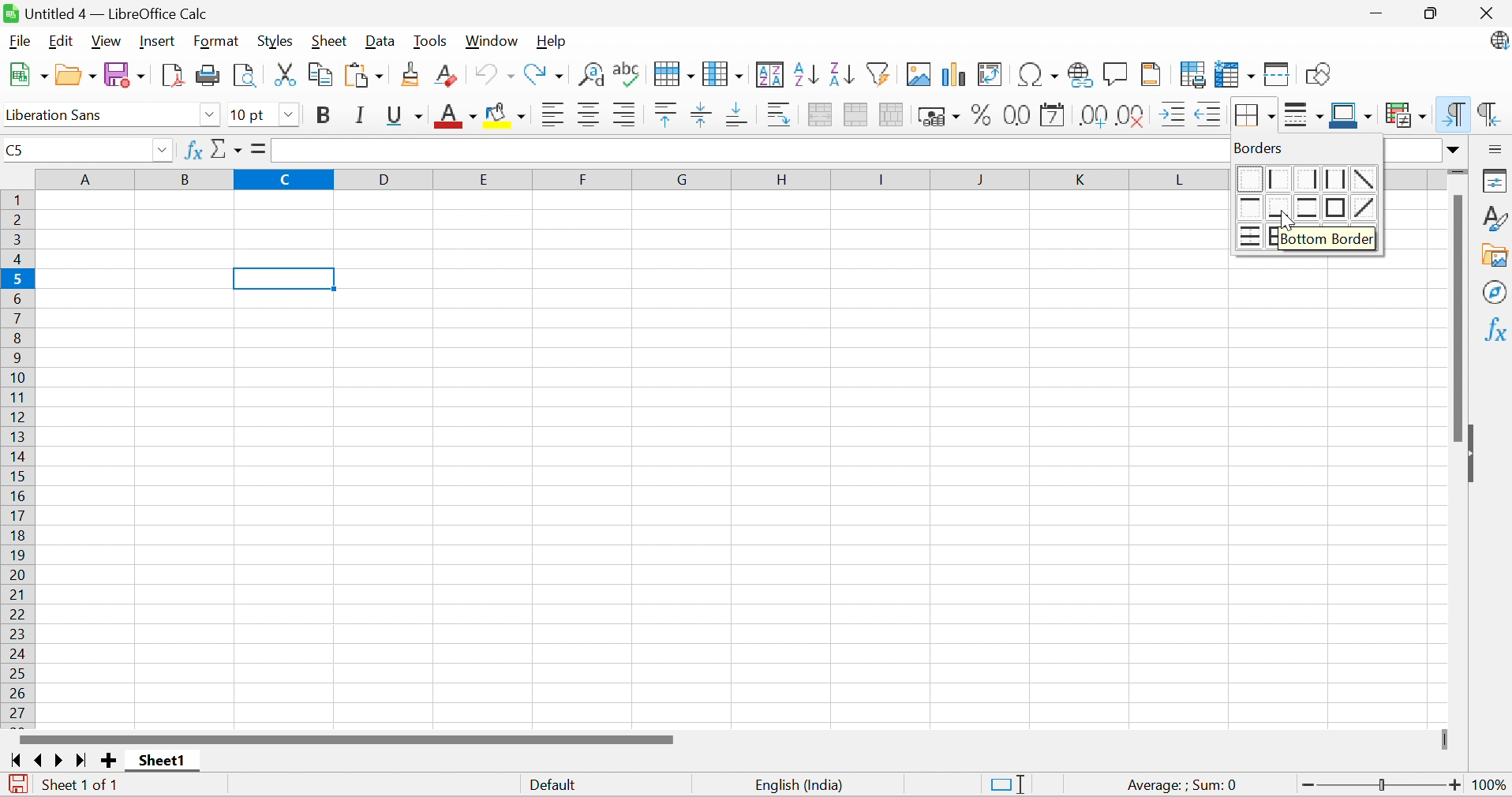 This screenshot has width=1512, height=797. What do you see at coordinates (1008, 784) in the screenshot?
I see `Standard selection. Click to change selection mode.` at bounding box center [1008, 784].